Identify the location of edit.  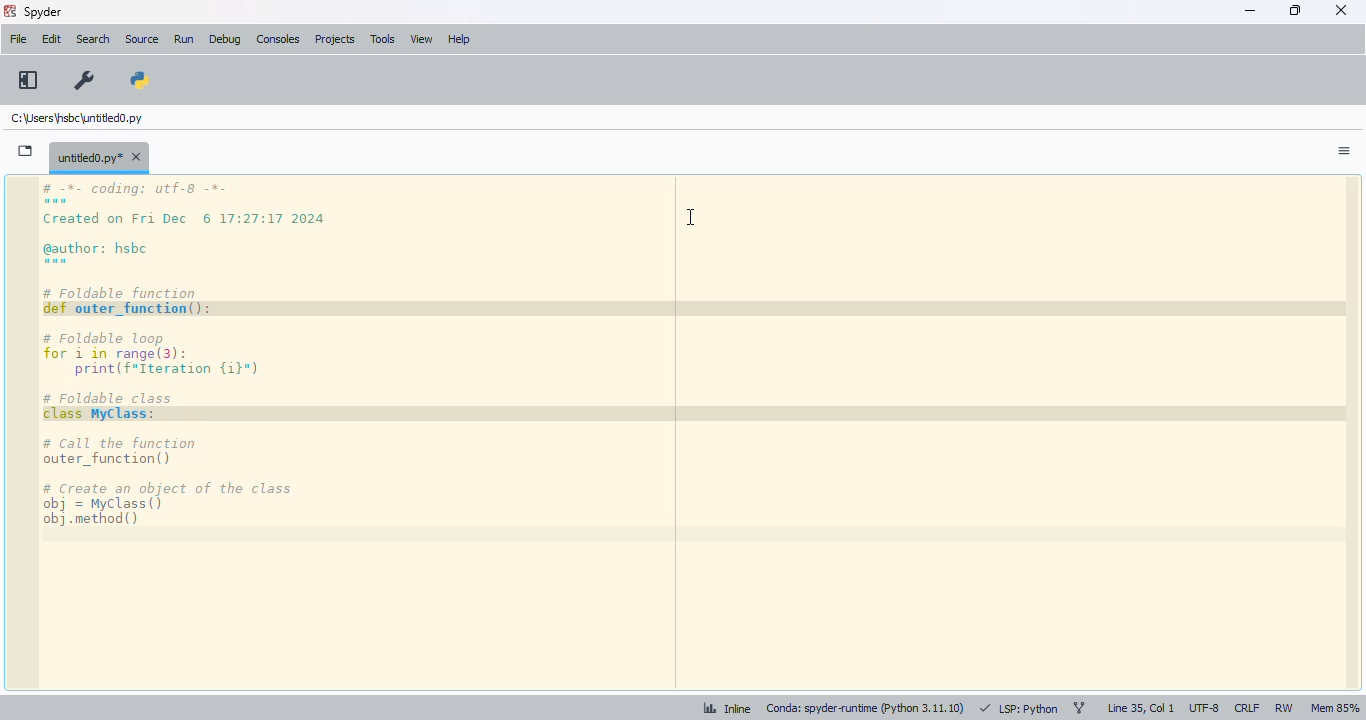
(52, 39).